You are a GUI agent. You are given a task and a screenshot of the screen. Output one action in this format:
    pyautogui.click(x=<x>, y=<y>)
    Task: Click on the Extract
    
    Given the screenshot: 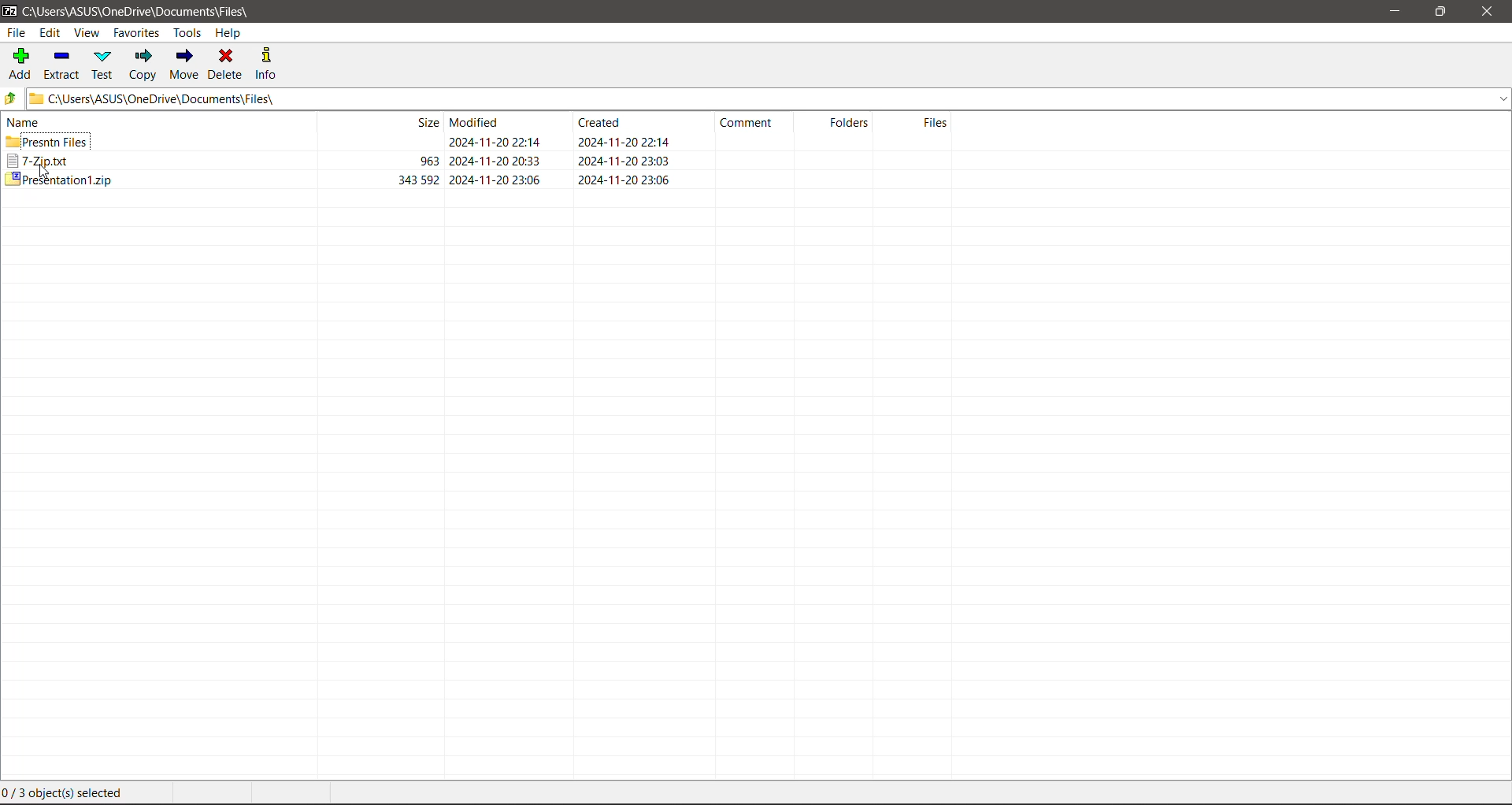 What is the action you would take?
    pyautogui.click(x=61, y=63)
    